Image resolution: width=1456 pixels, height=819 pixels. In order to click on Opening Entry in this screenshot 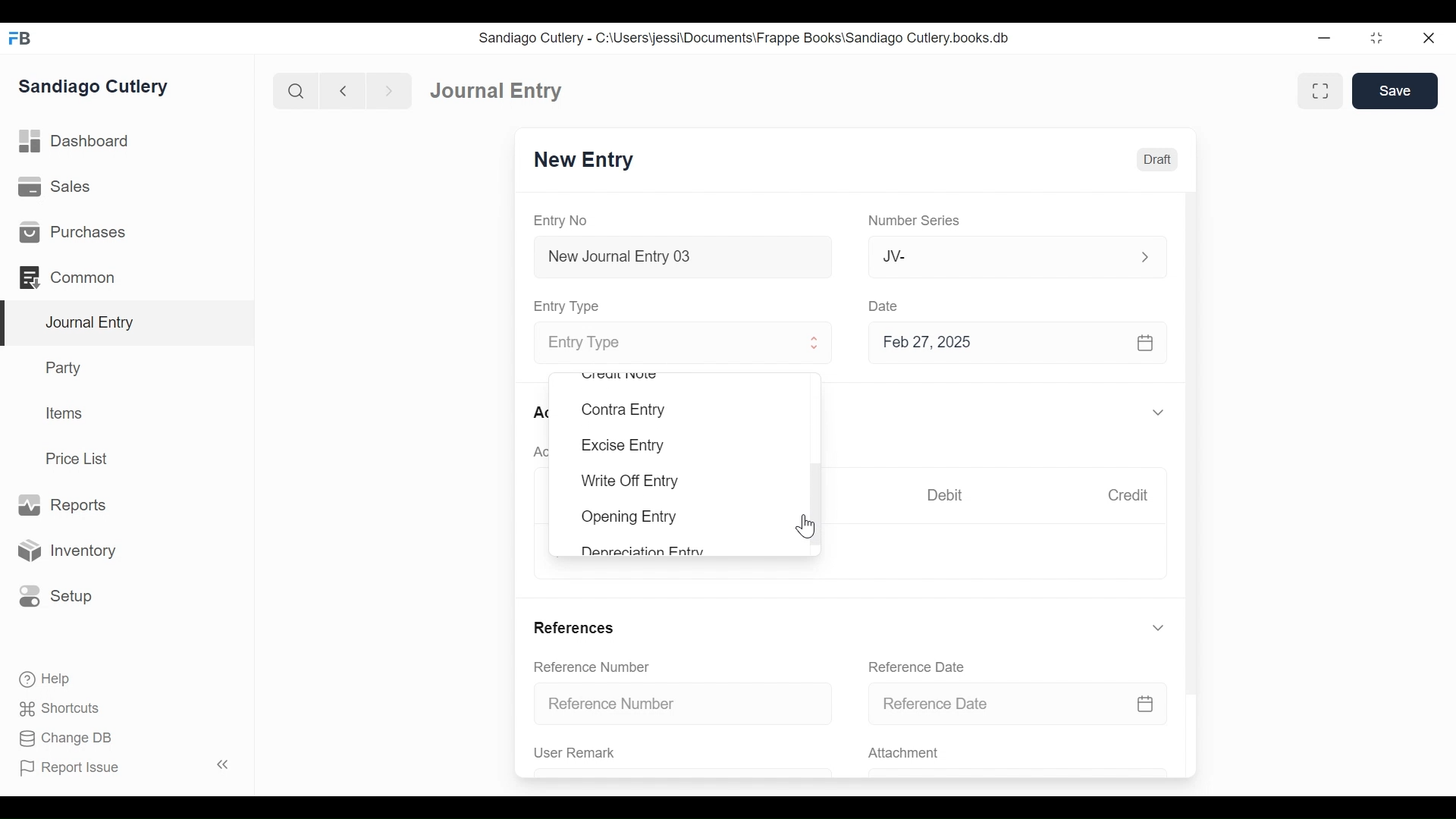, I will do `click(634, 518)`.